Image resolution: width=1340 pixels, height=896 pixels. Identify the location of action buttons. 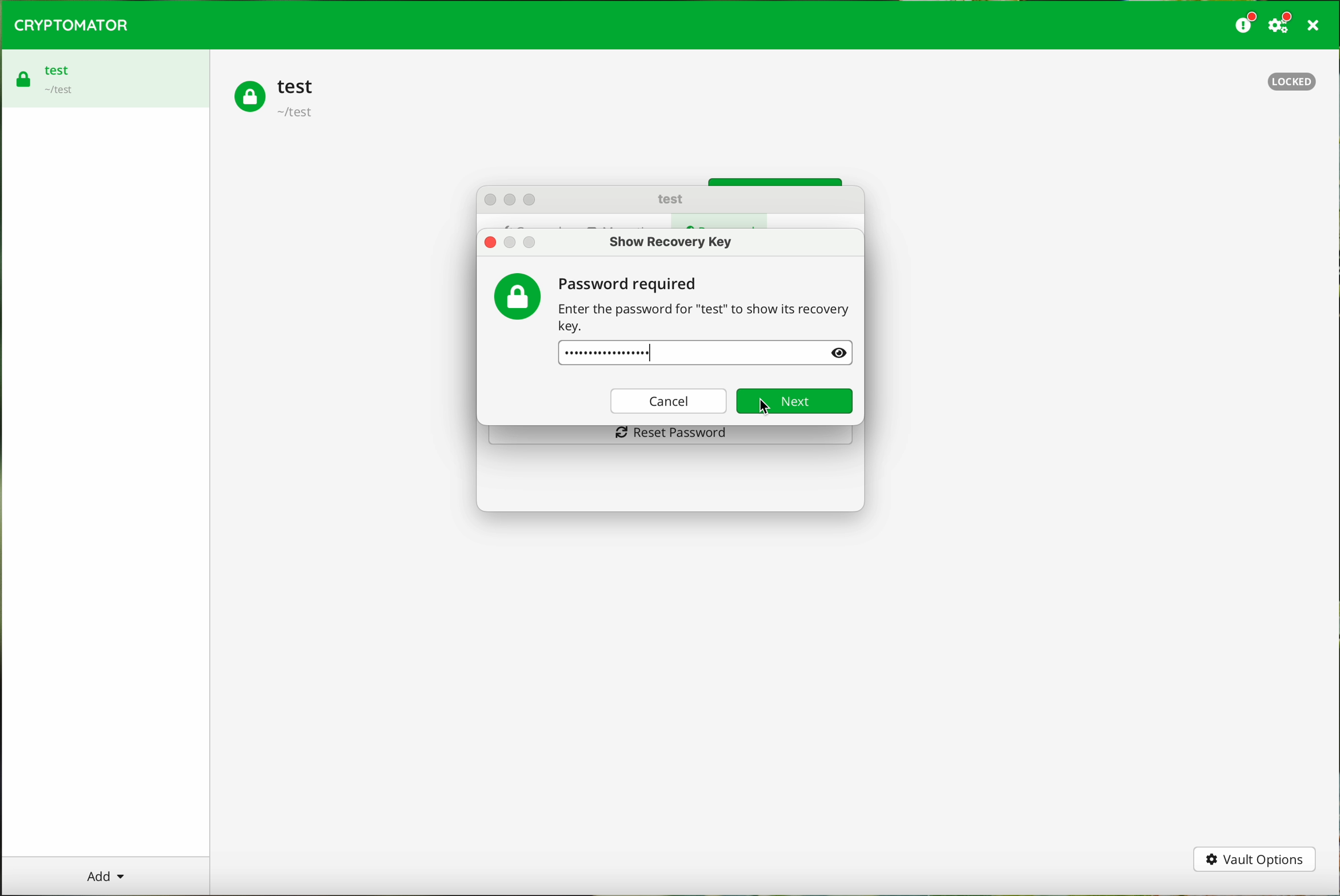
(511, 198).